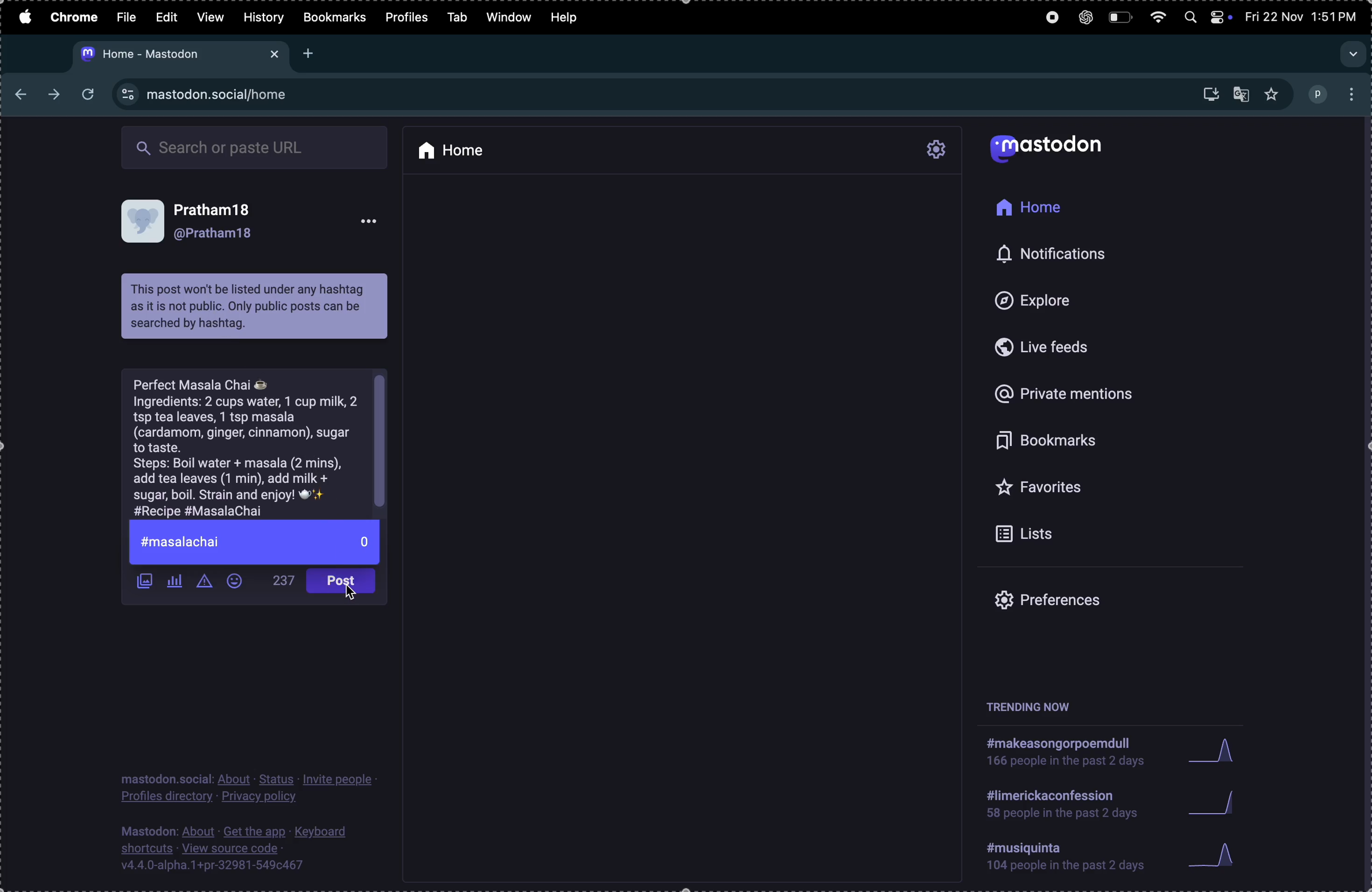  Describe the element at coordinates (359, 595) in the screenshot. I see `cursor` at that location.